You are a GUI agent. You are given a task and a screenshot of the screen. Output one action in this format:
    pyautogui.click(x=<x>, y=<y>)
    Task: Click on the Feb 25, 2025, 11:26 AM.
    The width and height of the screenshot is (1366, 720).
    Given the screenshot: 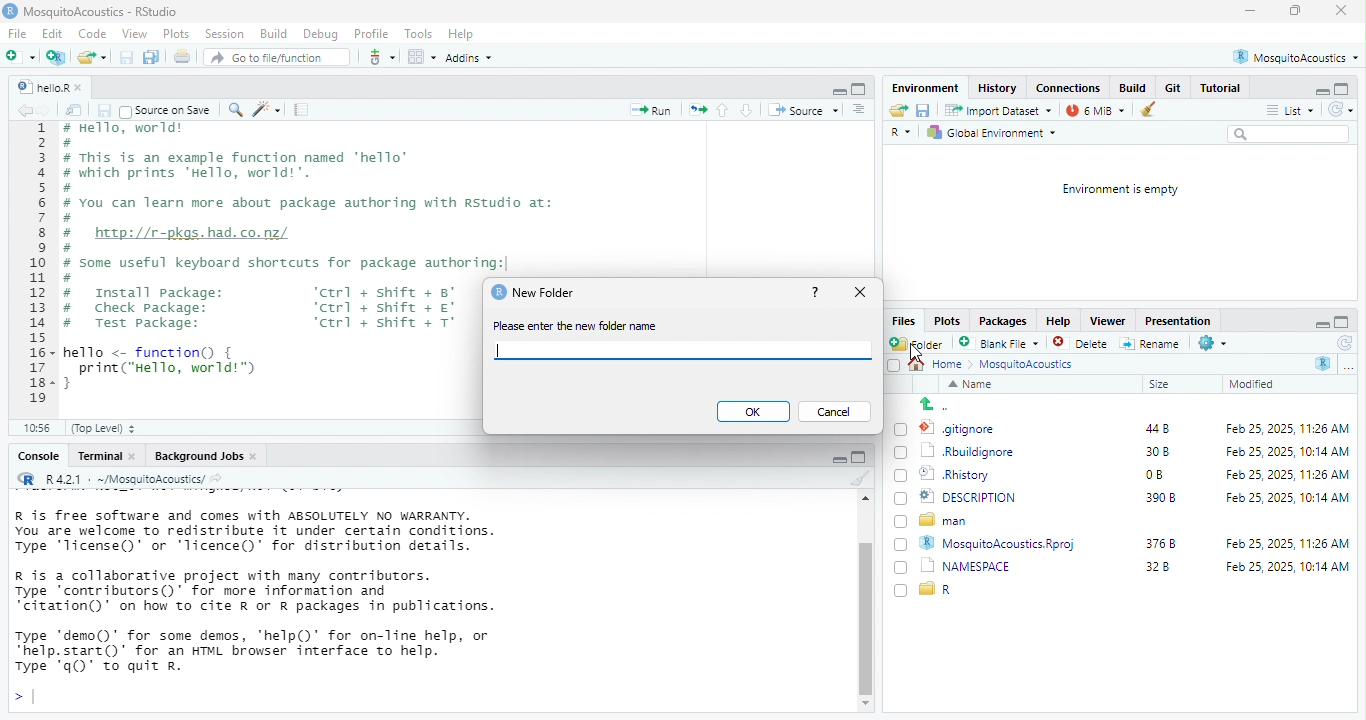 What is the action you would take?
    pyautogui.click(x=1290, y=429)
    